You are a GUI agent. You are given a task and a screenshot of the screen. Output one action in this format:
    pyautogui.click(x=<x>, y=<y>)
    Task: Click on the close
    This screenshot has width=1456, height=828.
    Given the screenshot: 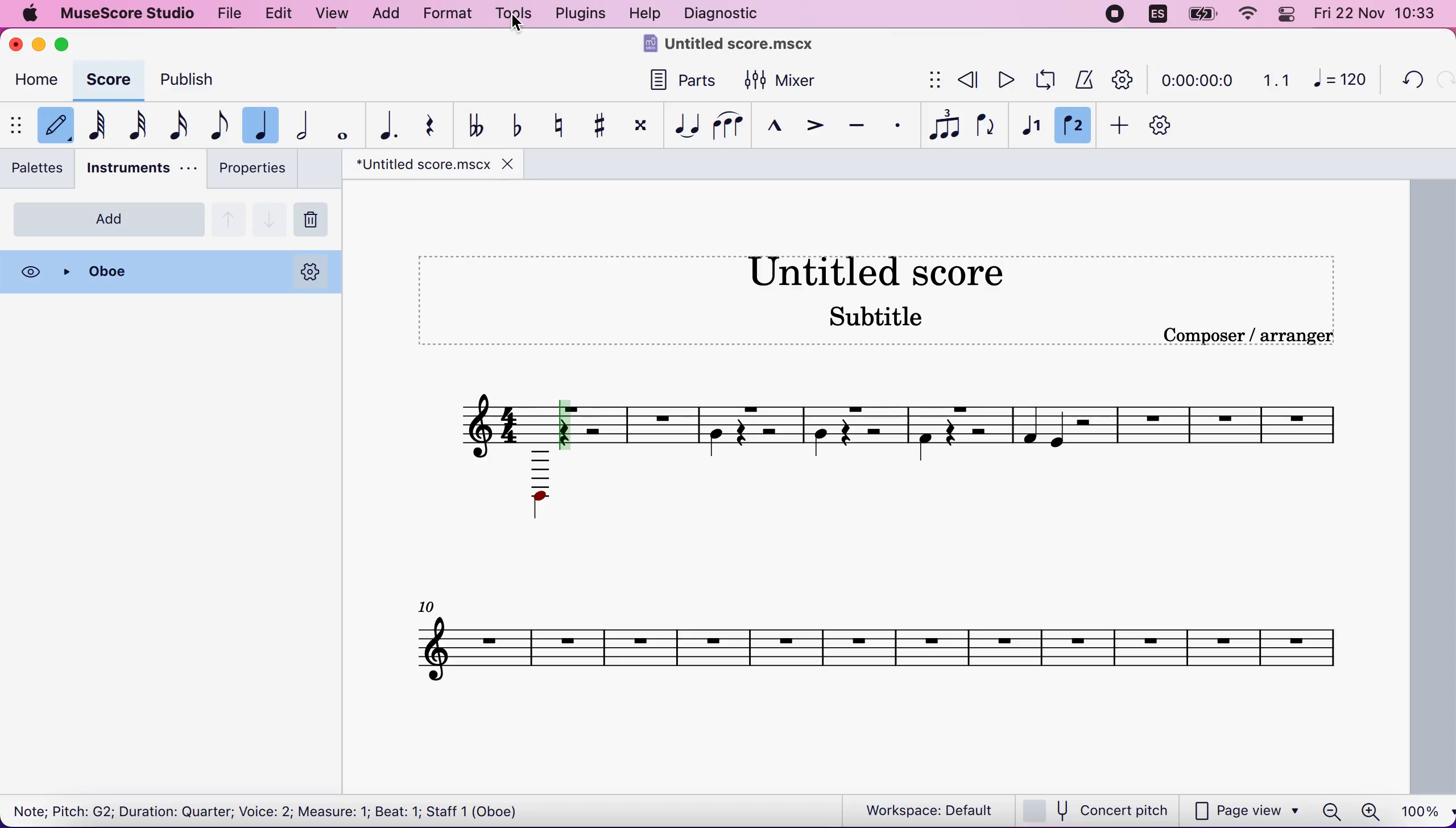 What is the action you would take?
    pyautogui.click(x=15, y=46)
    